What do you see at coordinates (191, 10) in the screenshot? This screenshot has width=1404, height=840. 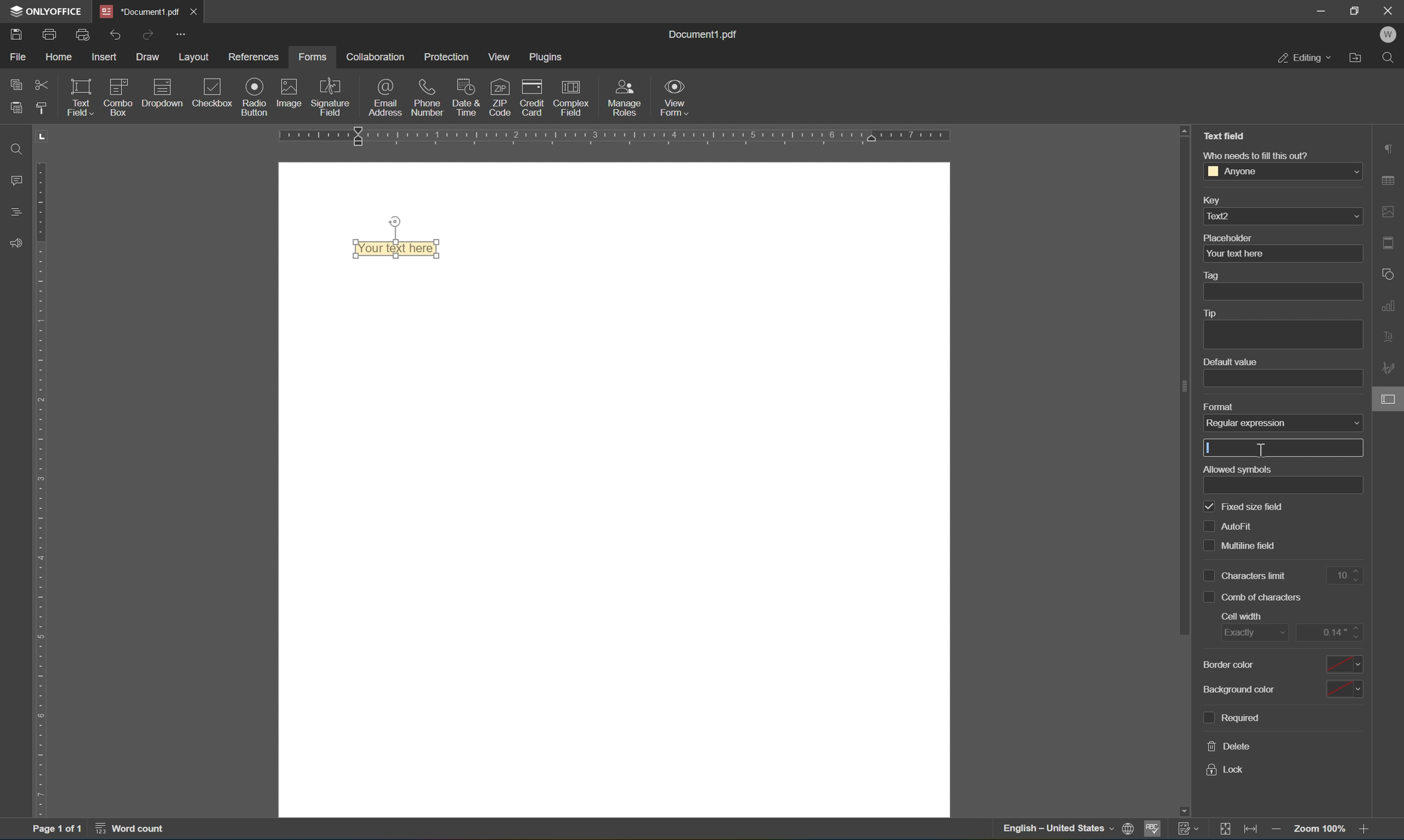 I see `close` at bounding box center [191, 10].